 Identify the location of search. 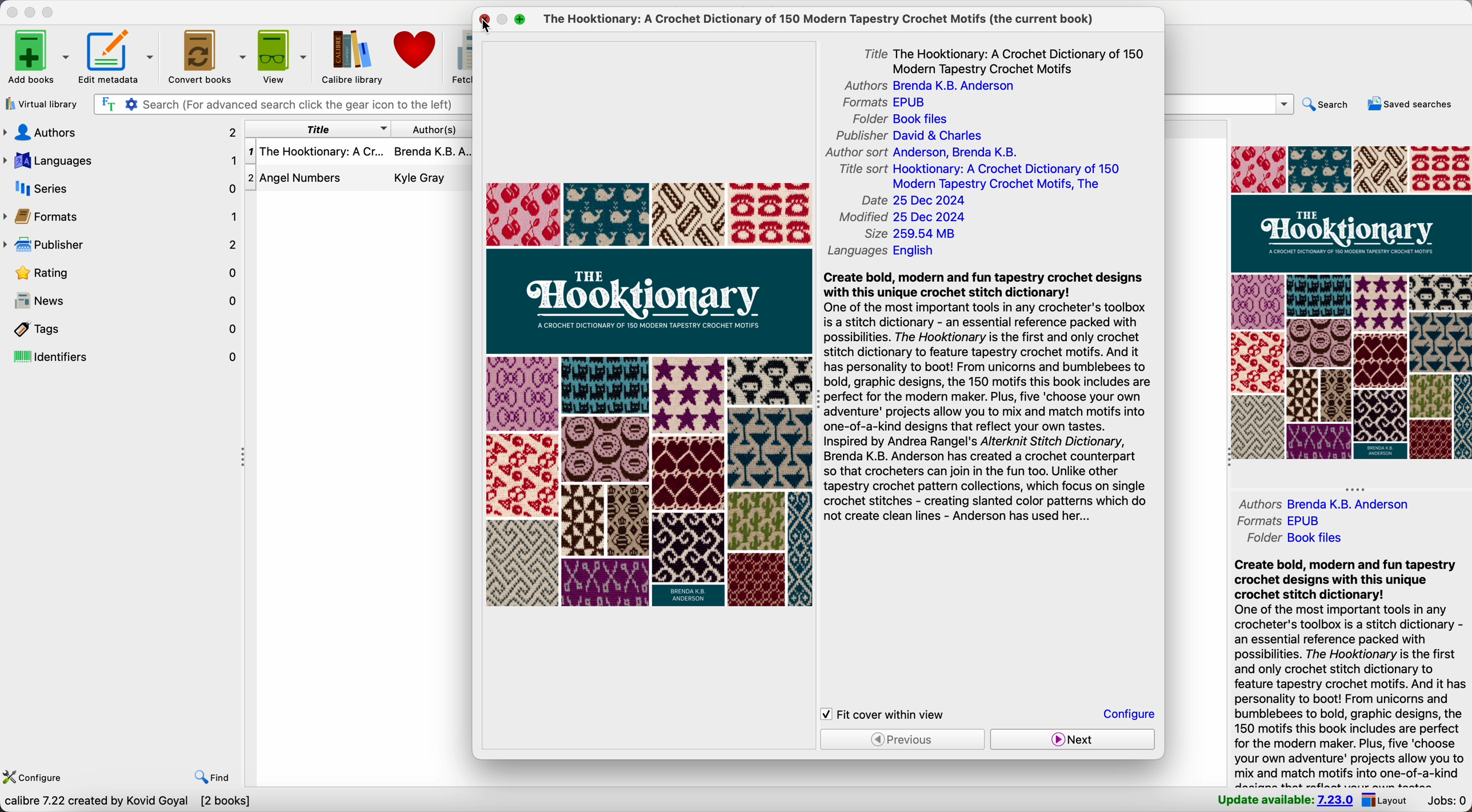
(1327, 107).